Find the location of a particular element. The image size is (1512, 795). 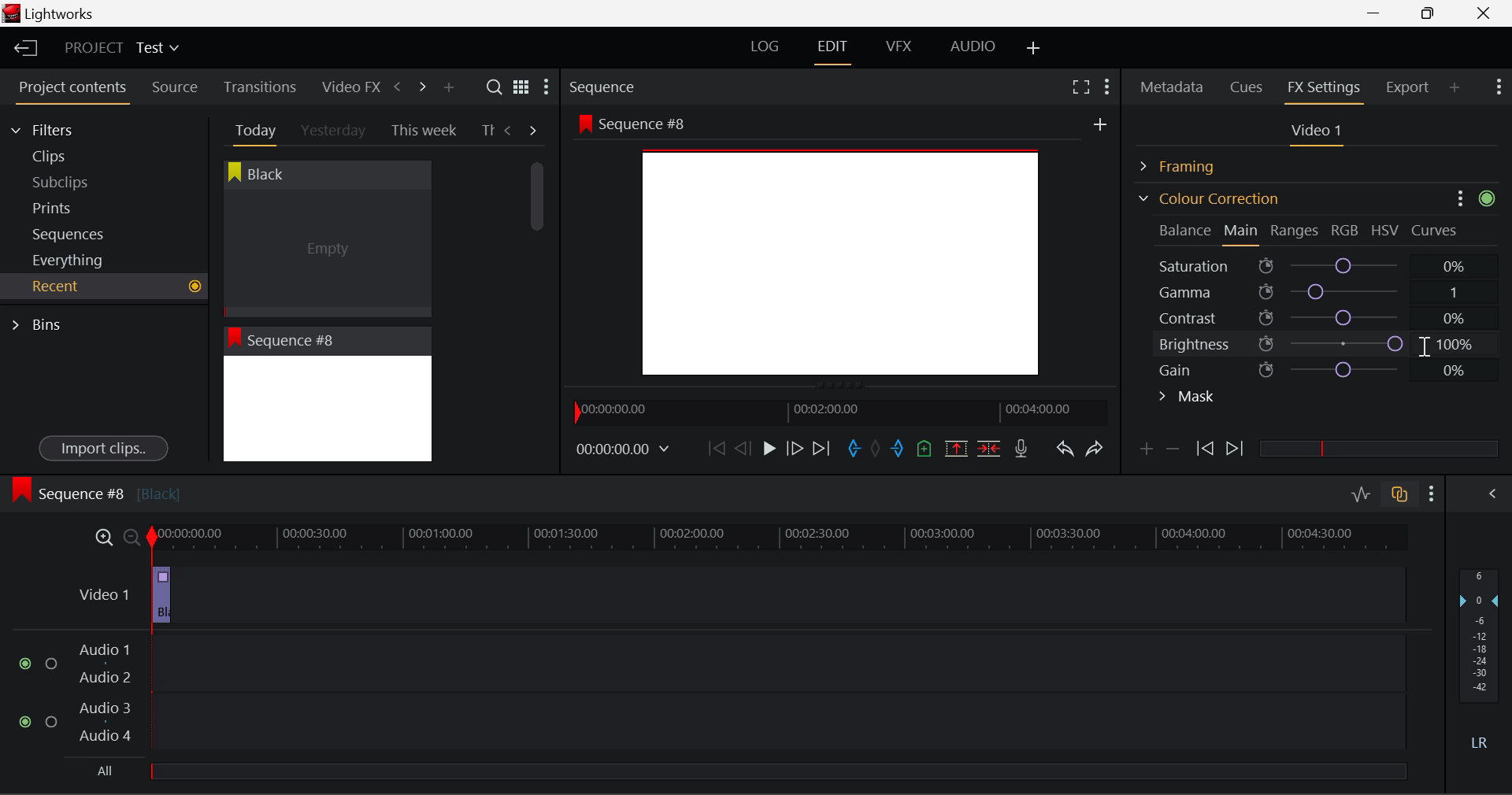

Remove marked section is located at coordinates (955, 447).